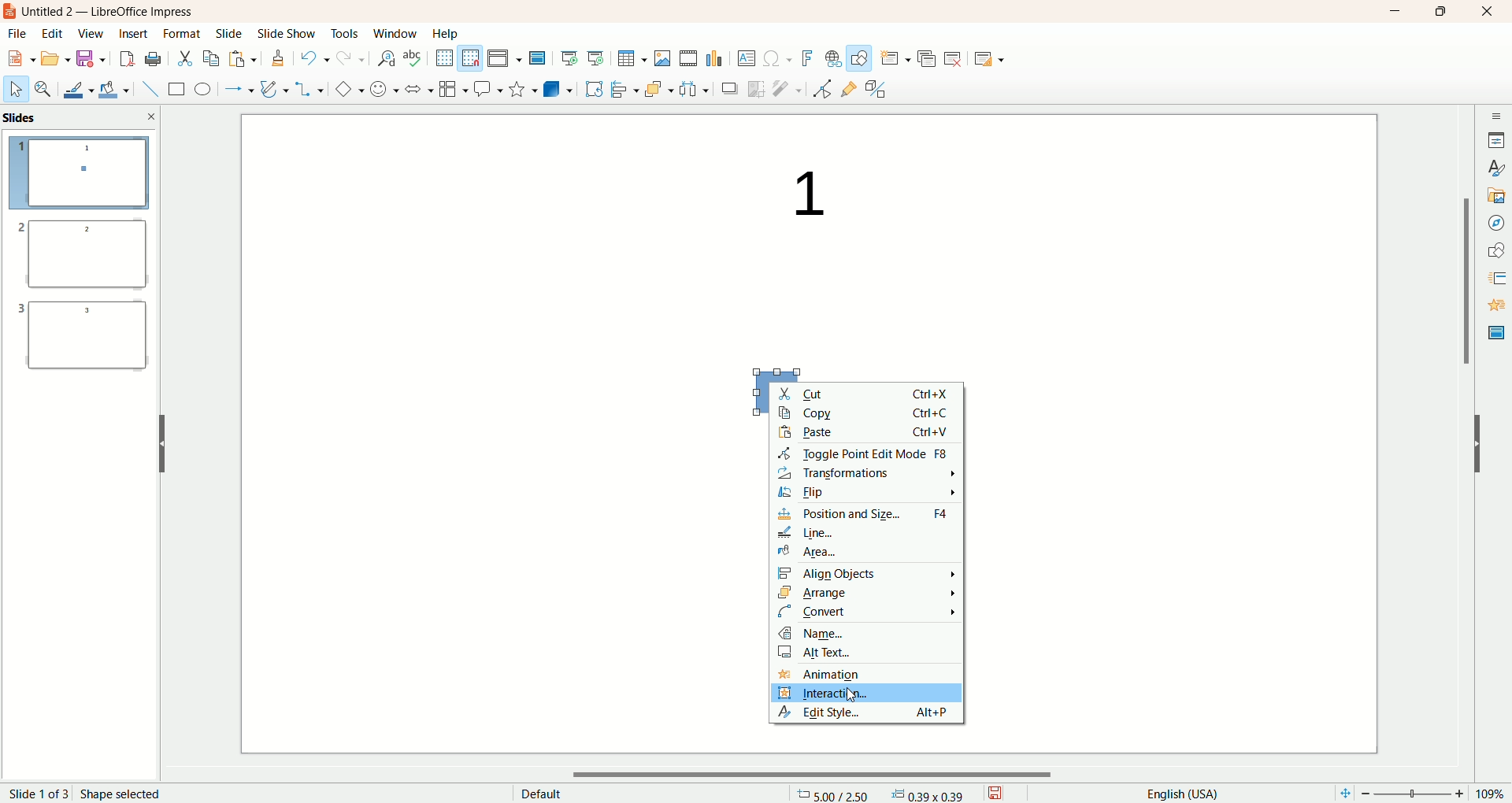  Describe the element at coordinates (942, 512) in the screenshot. I see `f4` at that location.